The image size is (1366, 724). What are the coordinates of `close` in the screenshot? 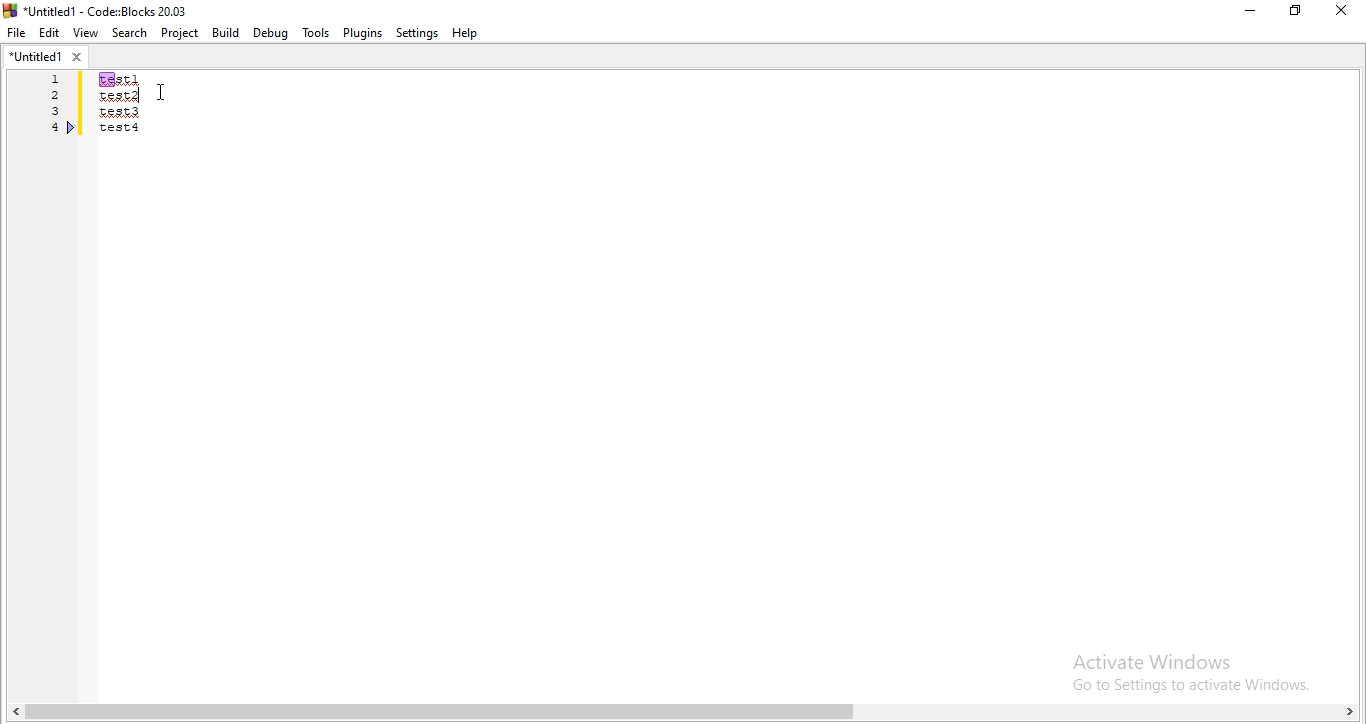 It's located at (1346, 11).